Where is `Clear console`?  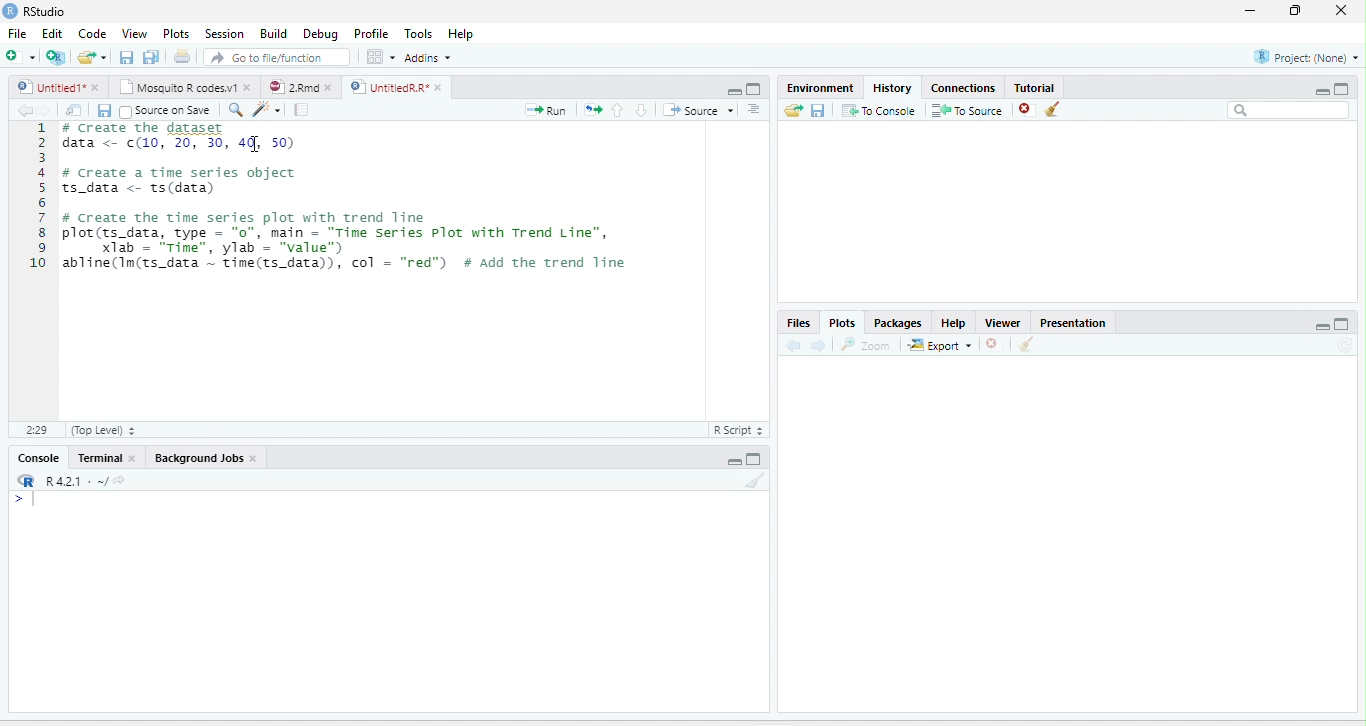
Clear console is located at coordinates (756, 480).